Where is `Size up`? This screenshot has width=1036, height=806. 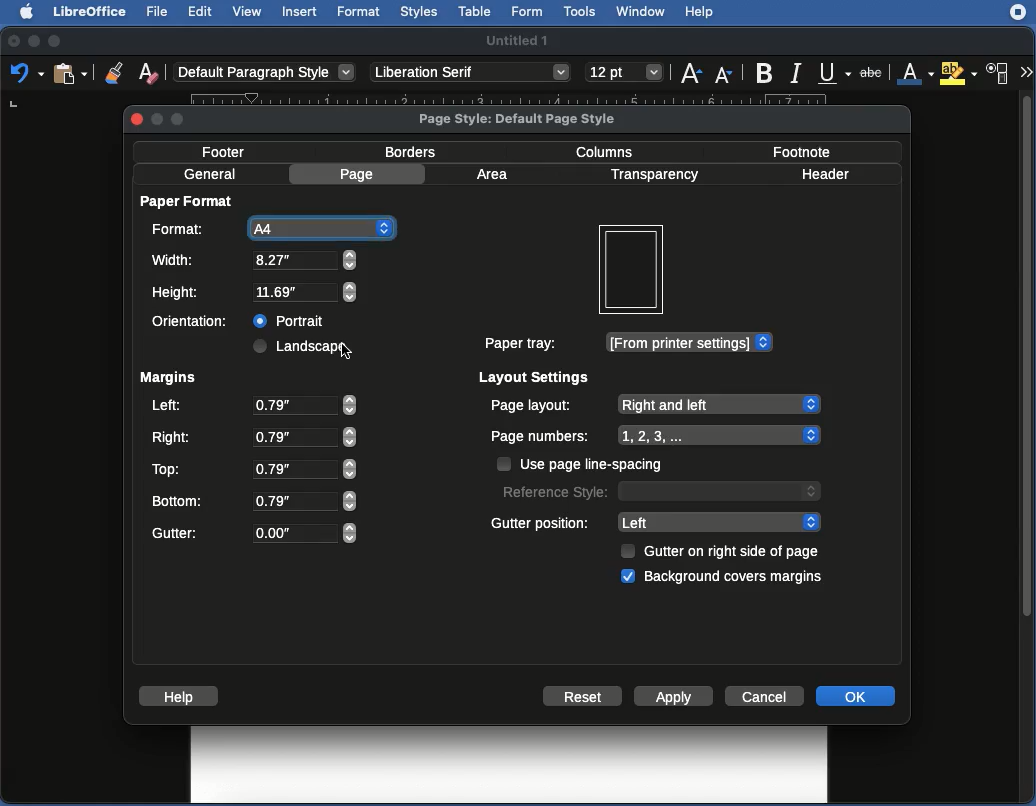 Size up is located at coordinates (691, 75).